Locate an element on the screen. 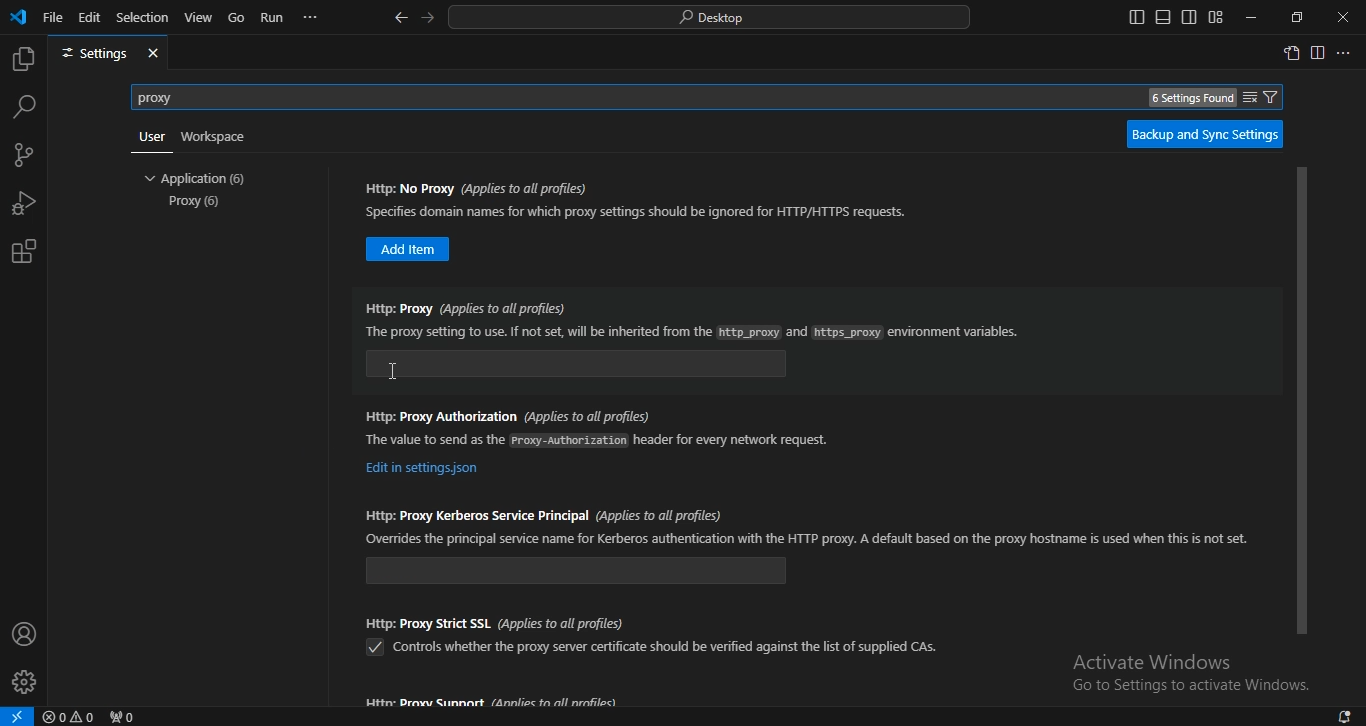  go back is located at coordinates (402, 18).